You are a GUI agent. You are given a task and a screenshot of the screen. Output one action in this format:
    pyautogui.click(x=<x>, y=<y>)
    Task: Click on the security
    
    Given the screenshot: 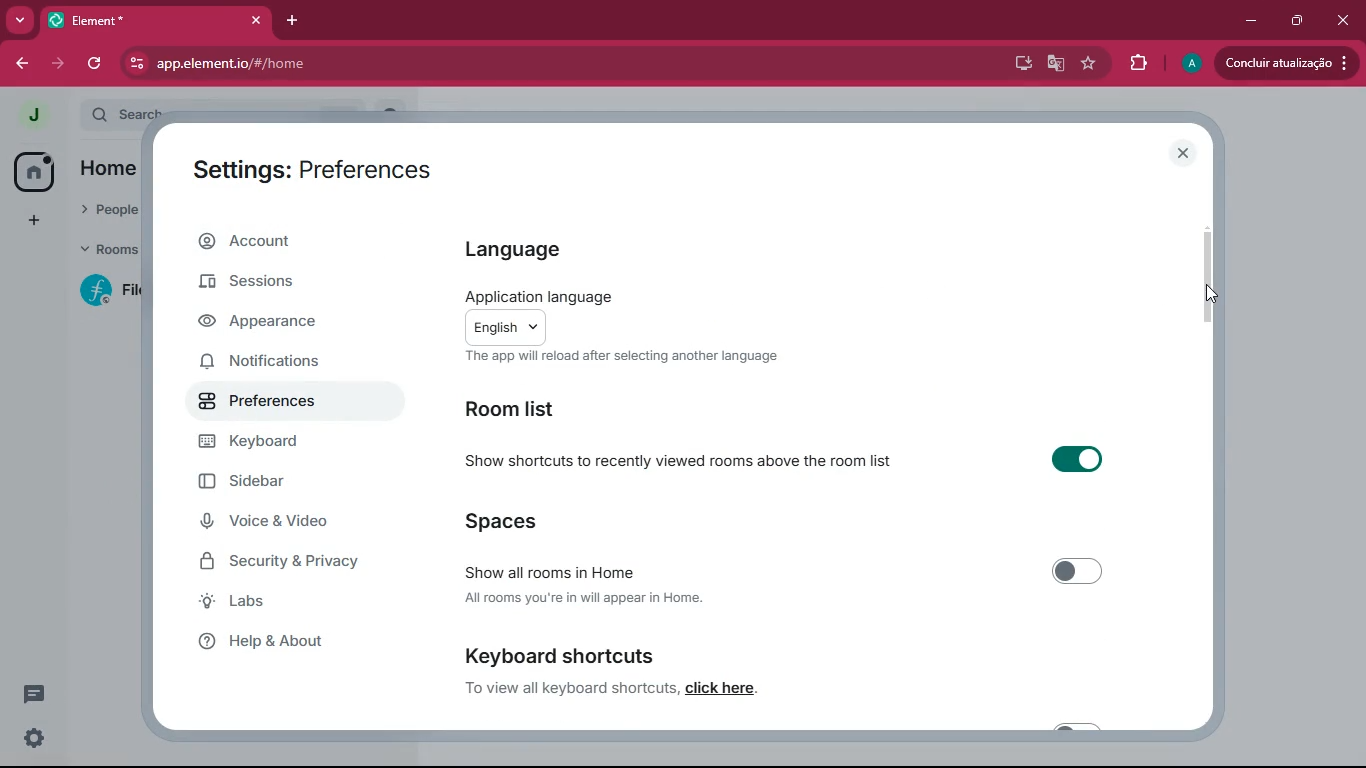 What is the action you would take?
    pyautogui.click(x=296, y=566)
    